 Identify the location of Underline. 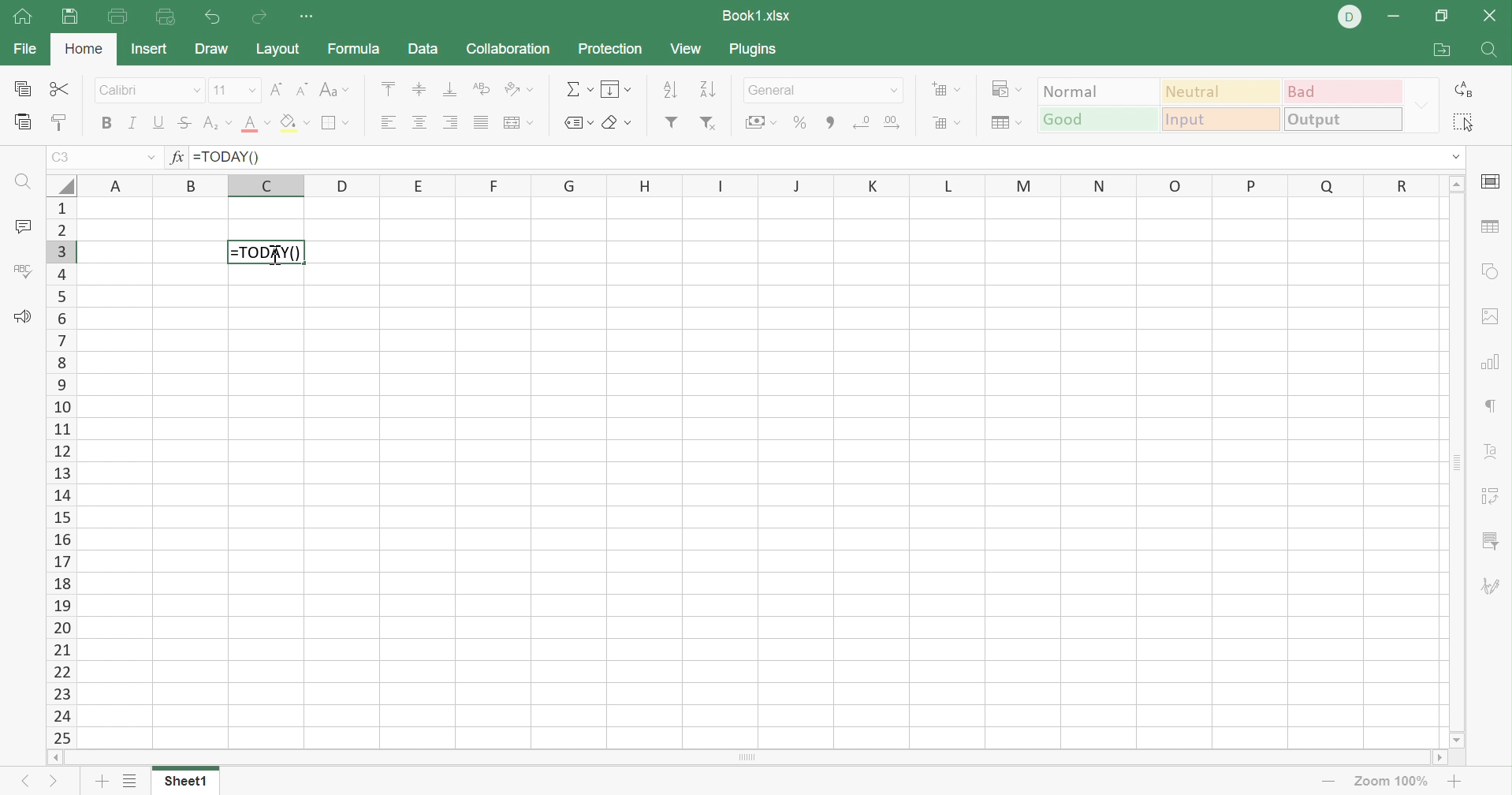
(160, 121).